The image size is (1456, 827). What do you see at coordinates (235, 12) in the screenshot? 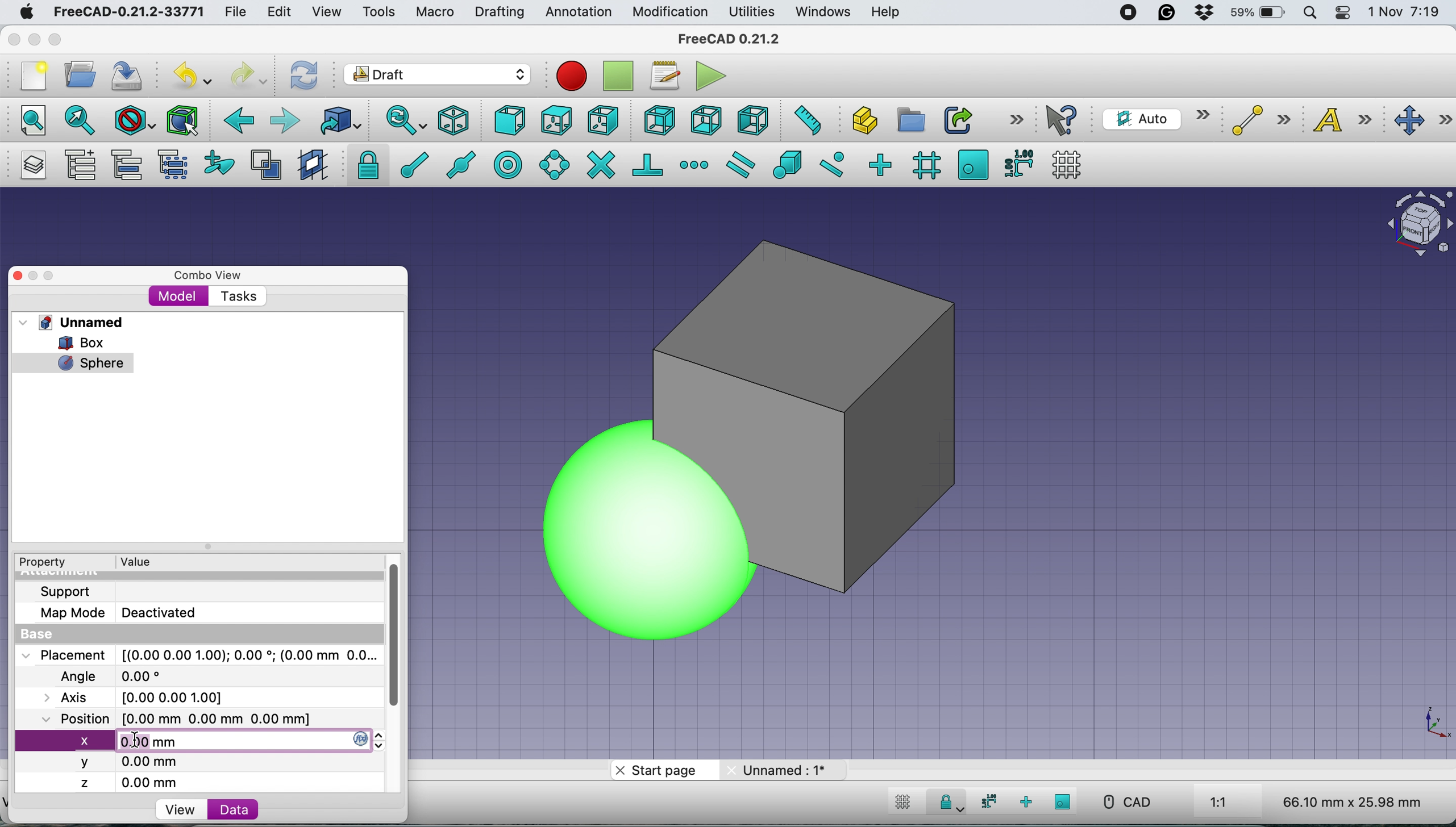
I see `file` at bounding box center [235, 12].